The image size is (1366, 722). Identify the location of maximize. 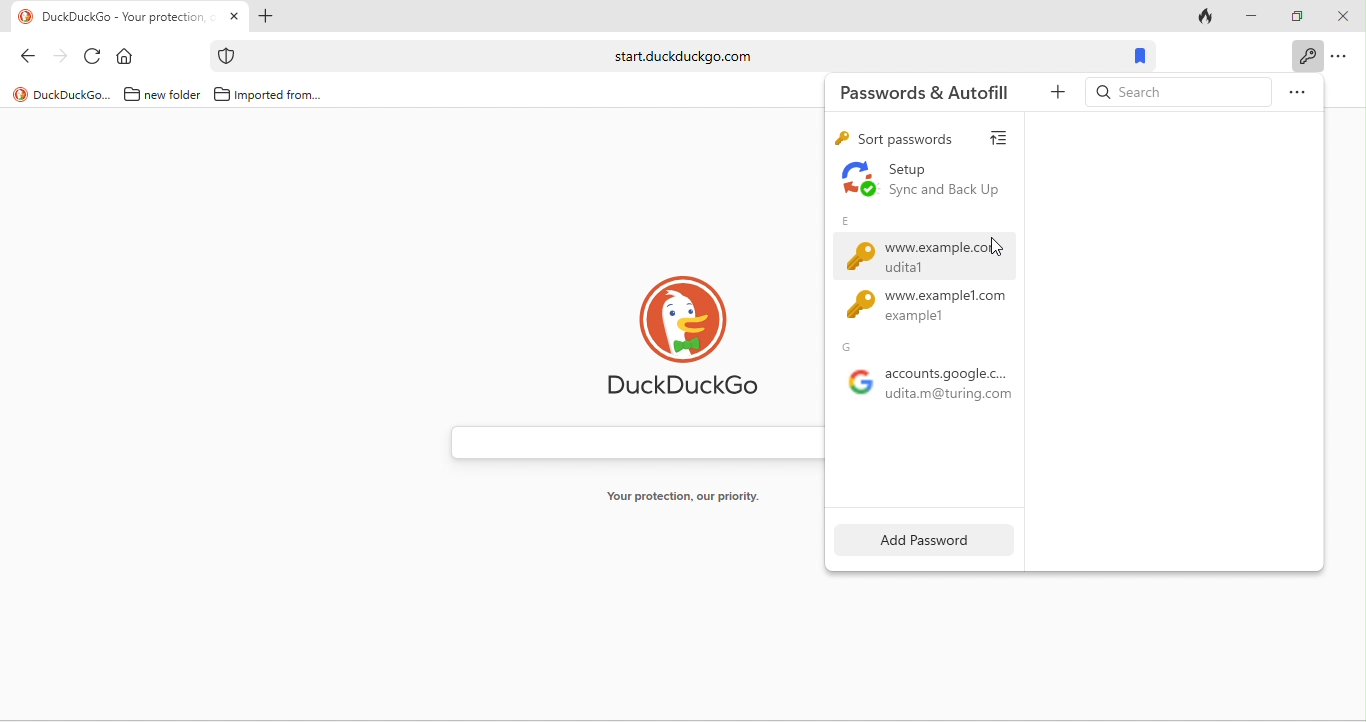
(1299, 14).